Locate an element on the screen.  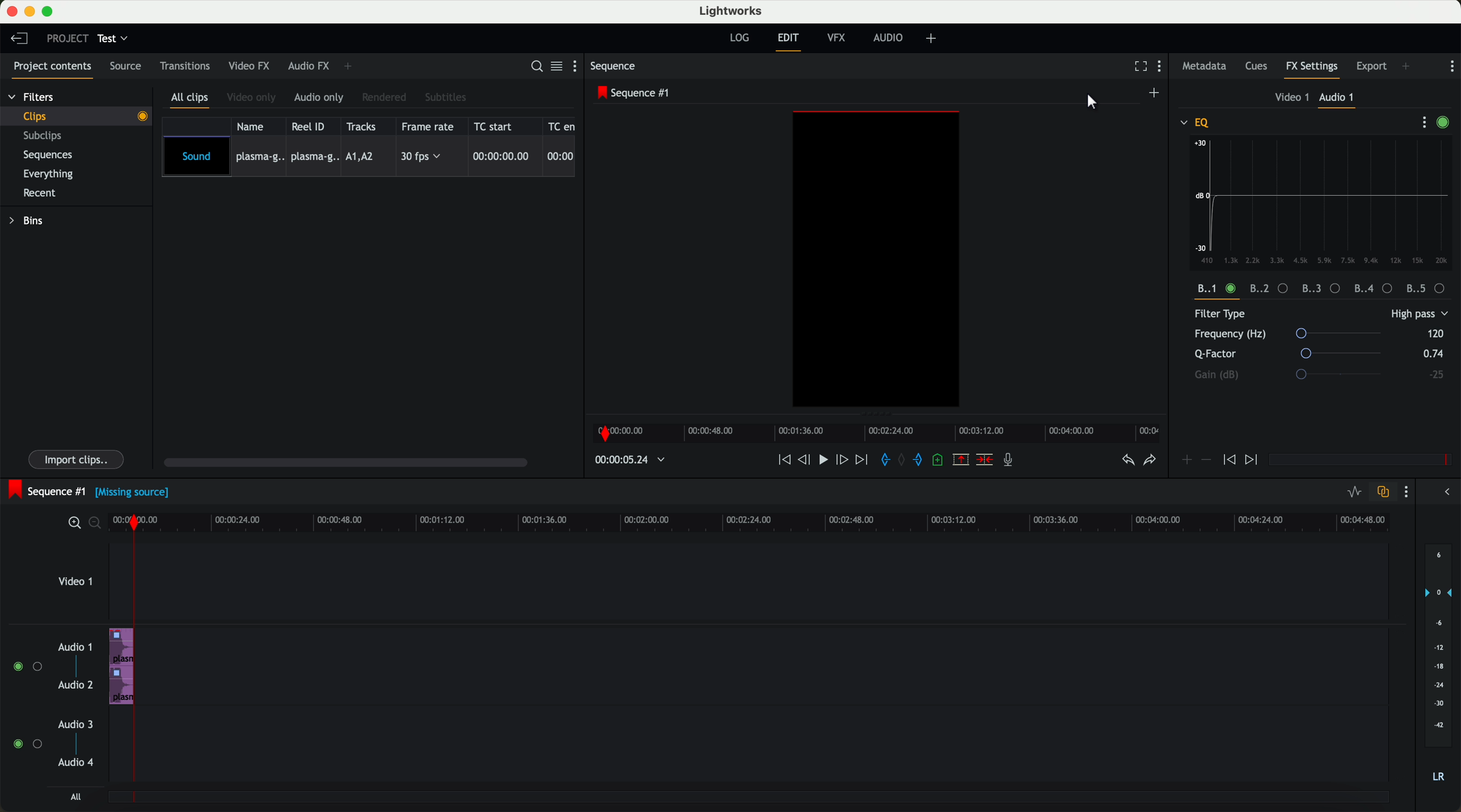
minimize is located at coordinates (29, 12).